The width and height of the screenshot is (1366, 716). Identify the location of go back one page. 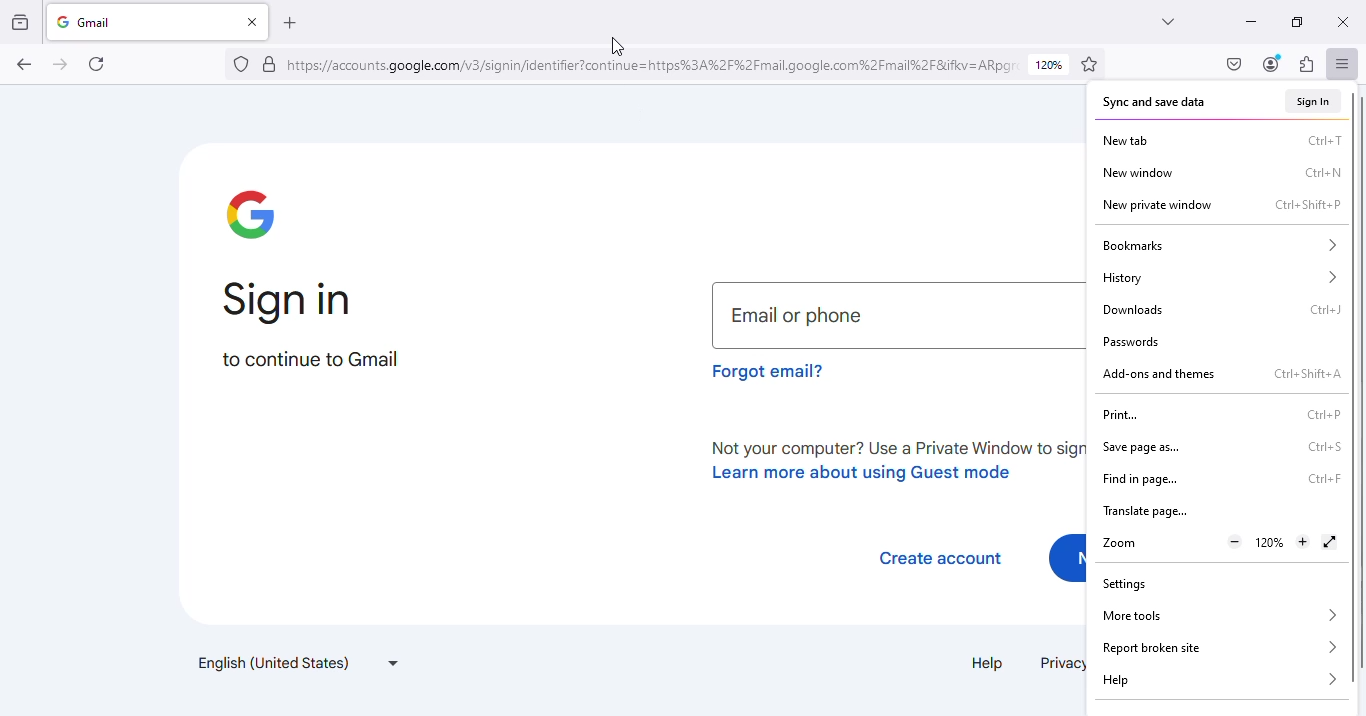
(25, 64).